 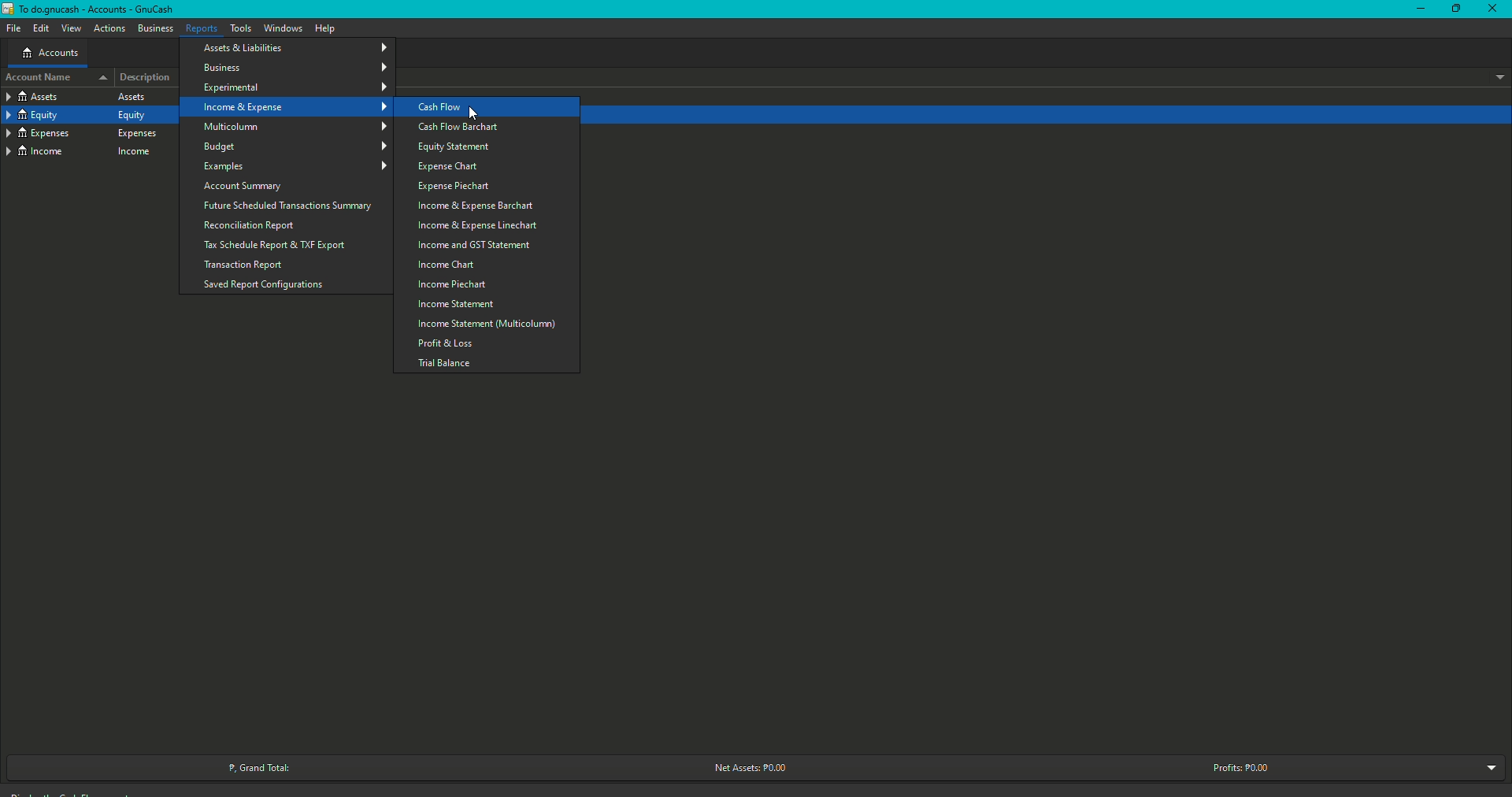 I want to click on Business, so click(x=155, y=27).